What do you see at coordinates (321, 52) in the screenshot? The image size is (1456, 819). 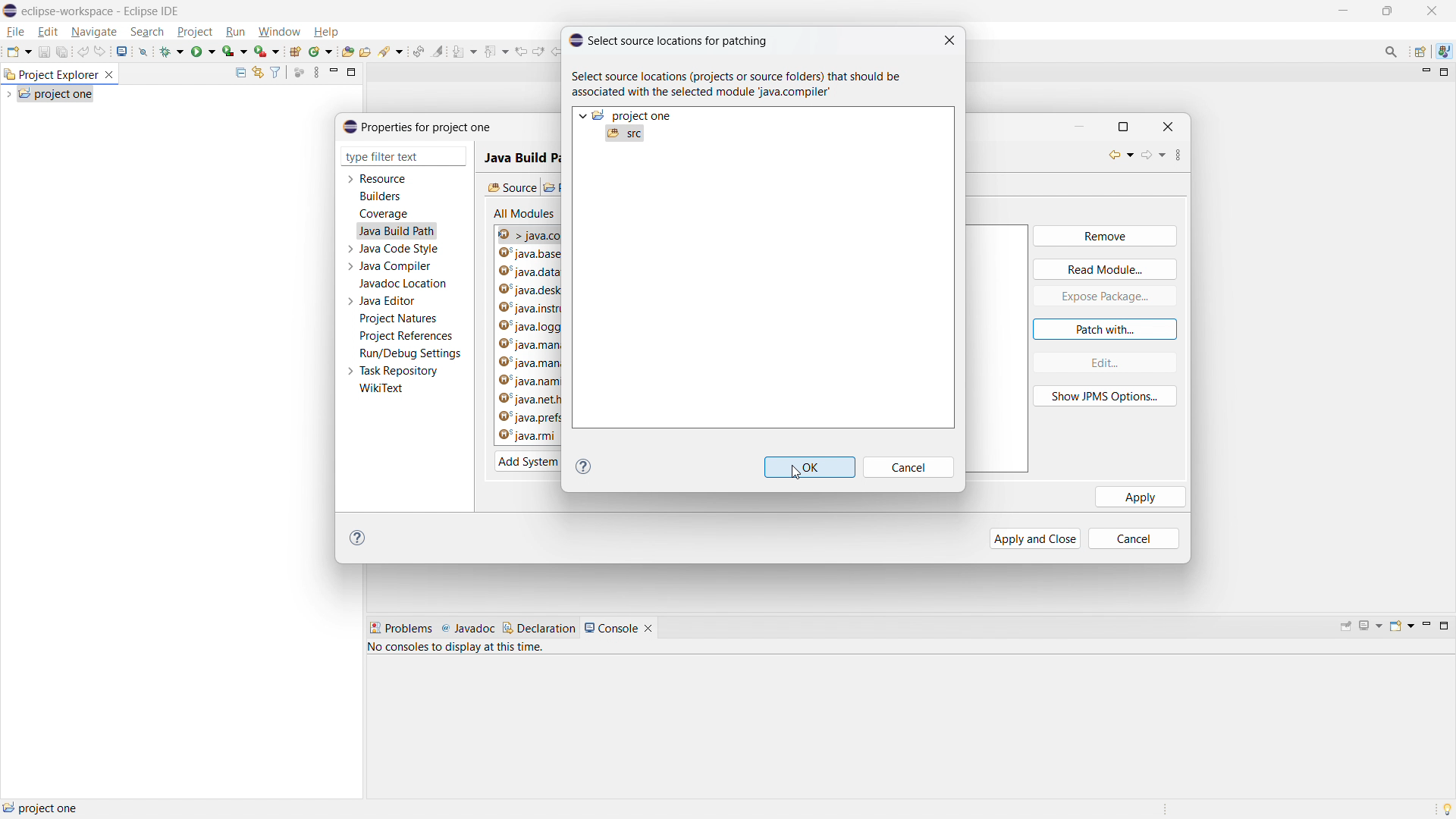 I see `new java class` at bounding box center [321, 52].